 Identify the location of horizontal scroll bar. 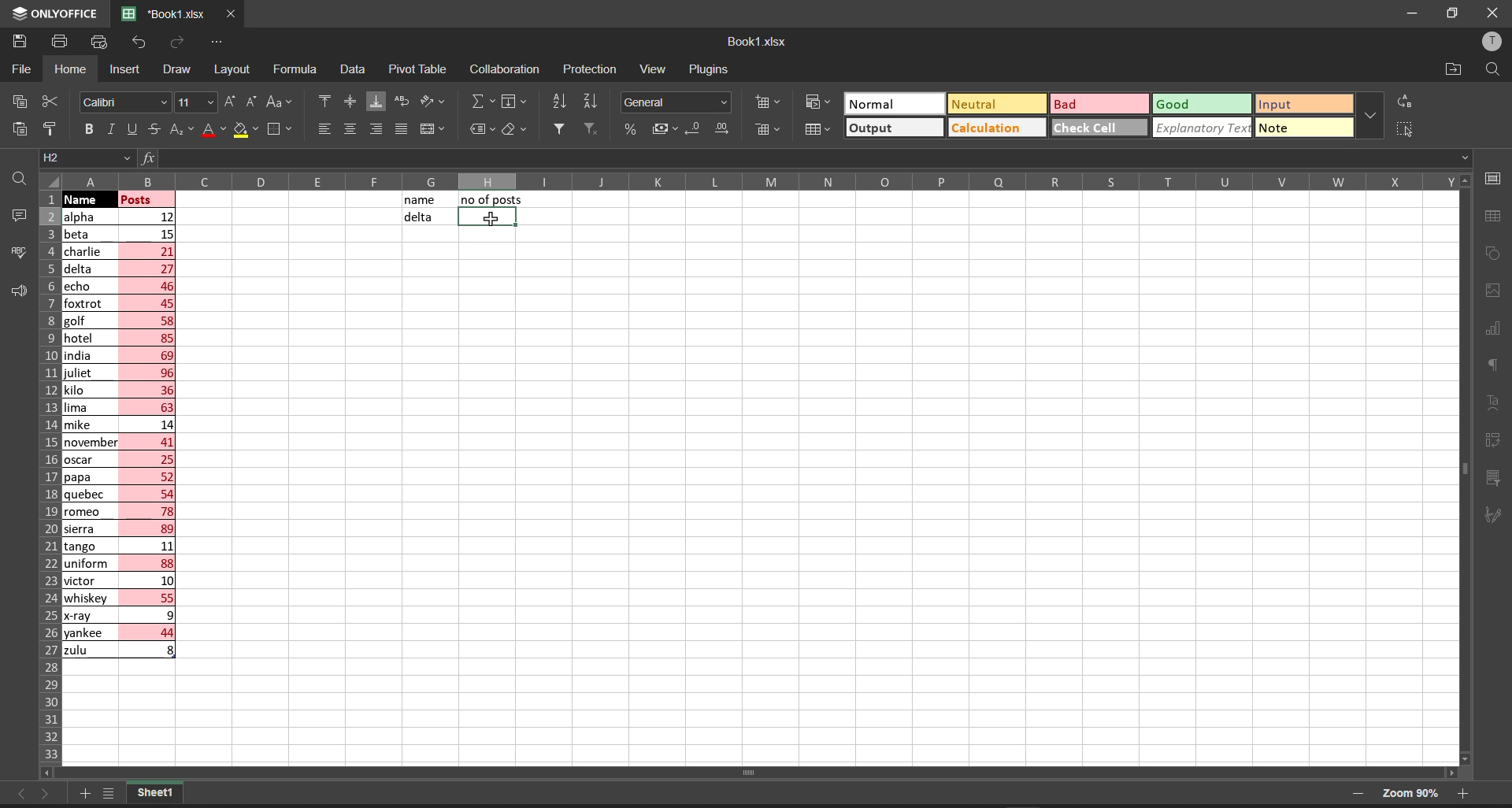
(753, 773).